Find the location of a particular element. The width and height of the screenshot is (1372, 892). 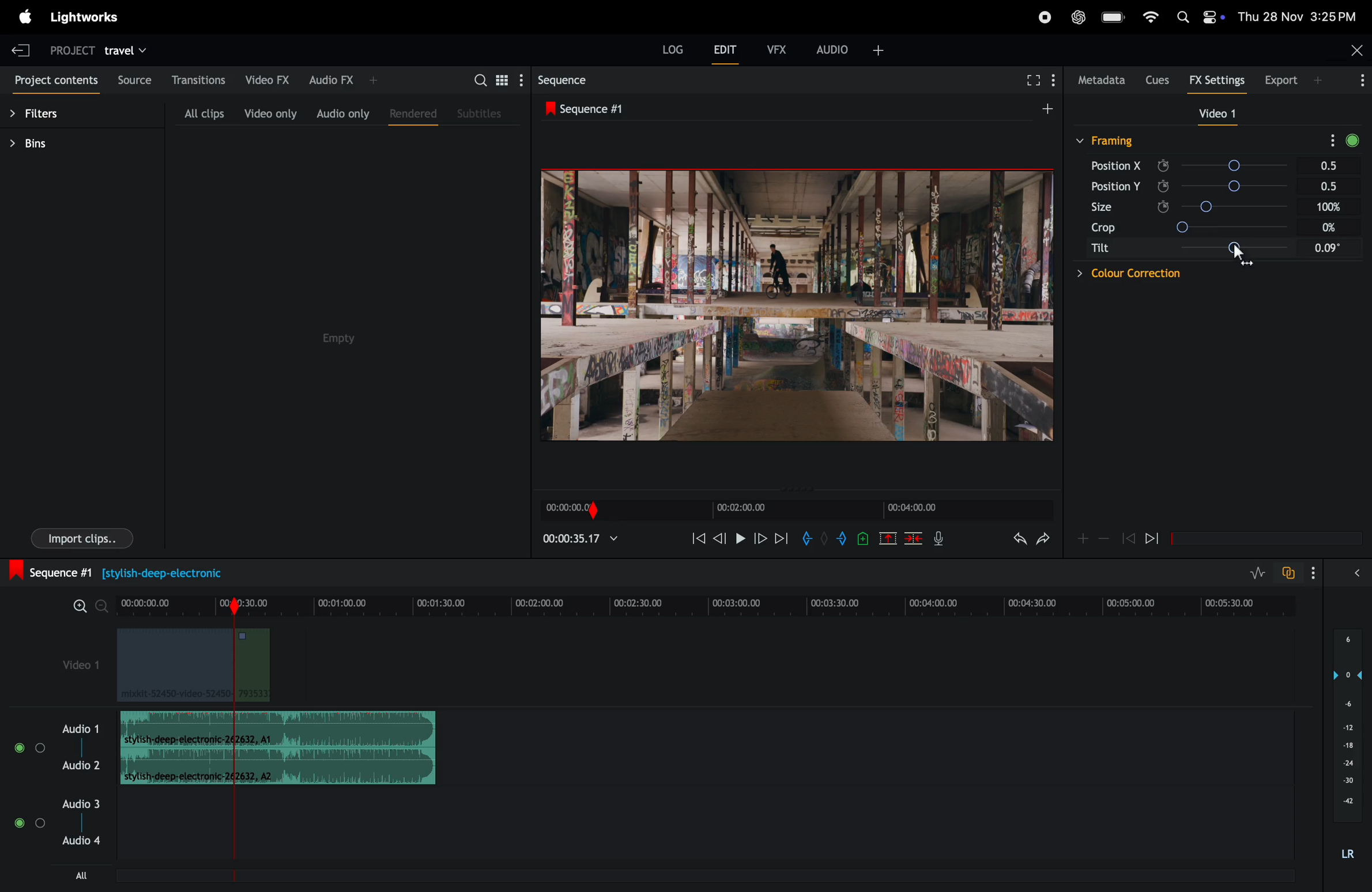

Audio 2 is located at coordinates (82, 768).